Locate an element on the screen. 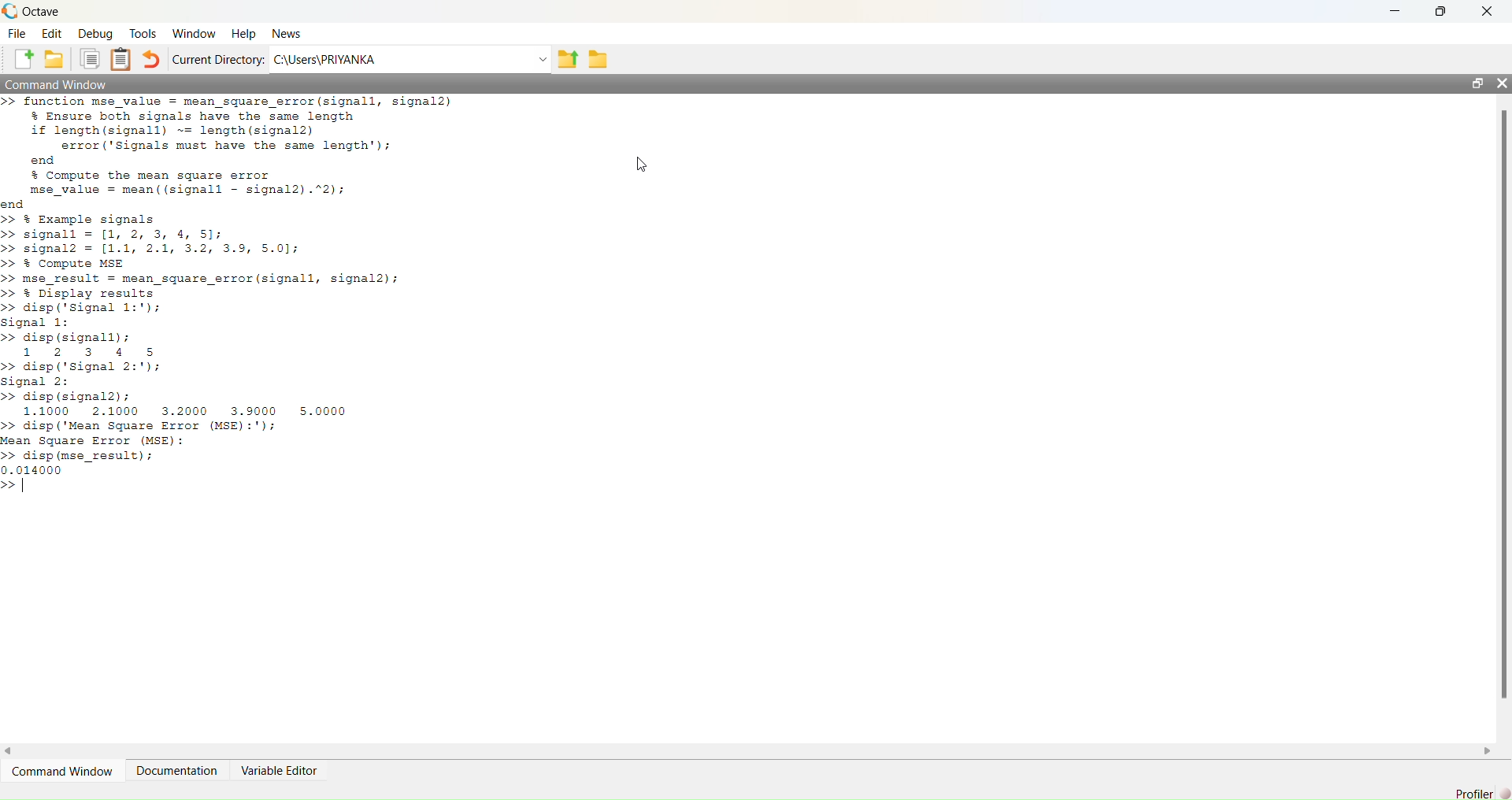  Command Window is located at coordinates (66, 772).